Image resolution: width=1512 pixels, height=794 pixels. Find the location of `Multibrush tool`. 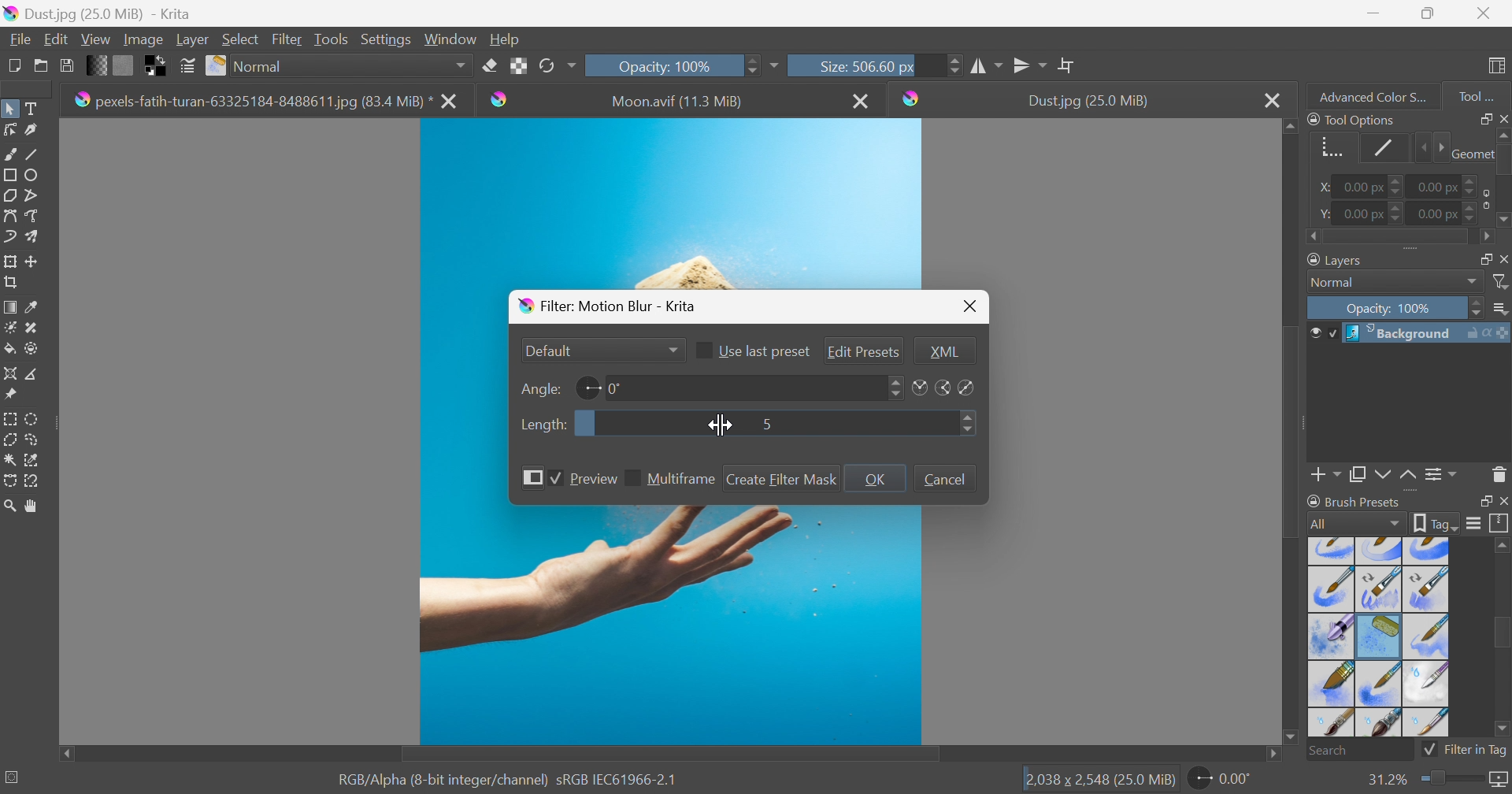

Multibrush tool is located at coordinates (37, 236).